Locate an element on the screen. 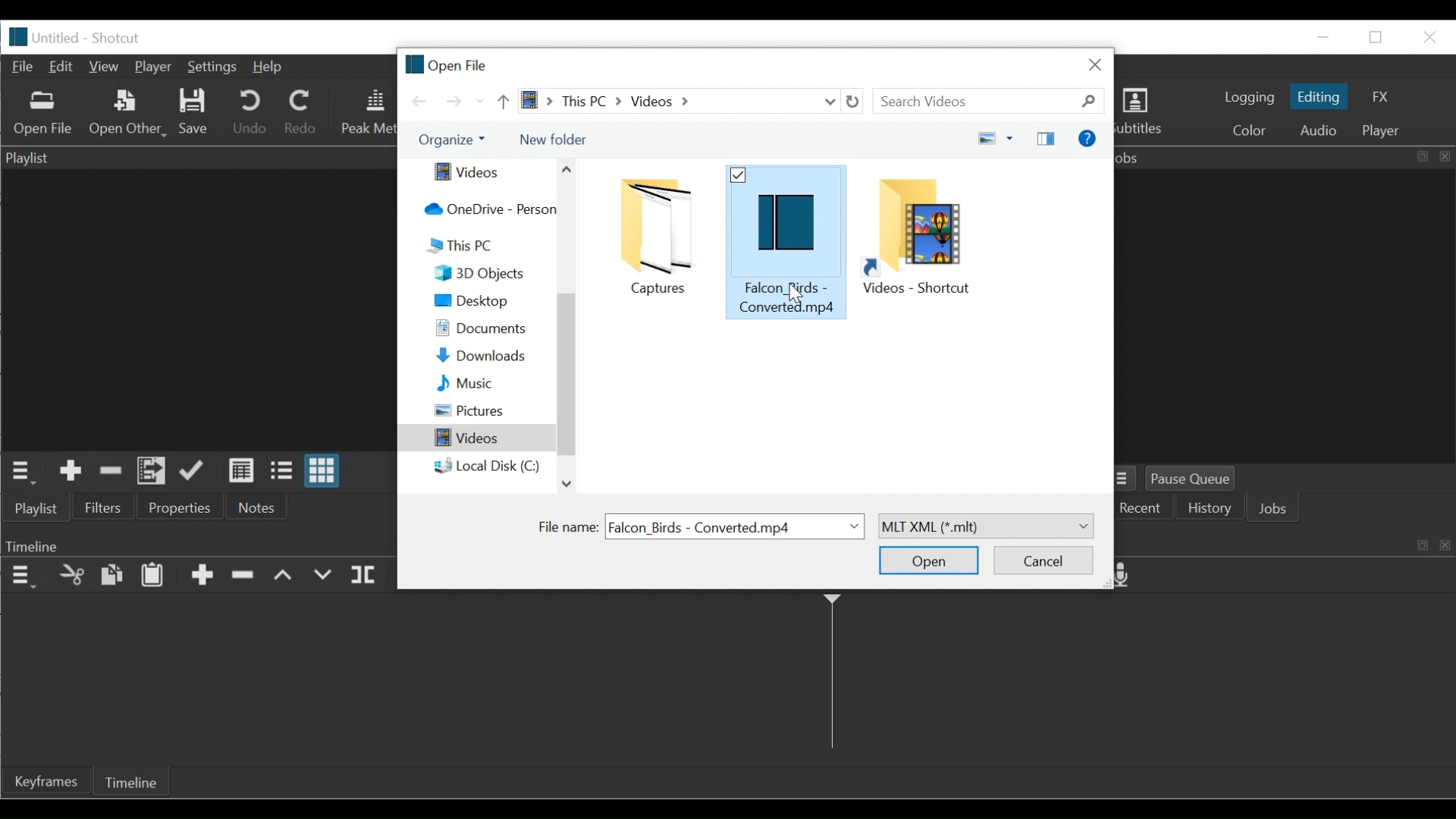 Image resolution: width=1456 pixels, height=819 pixels. Scroll up is located at coordinates (567, 169).